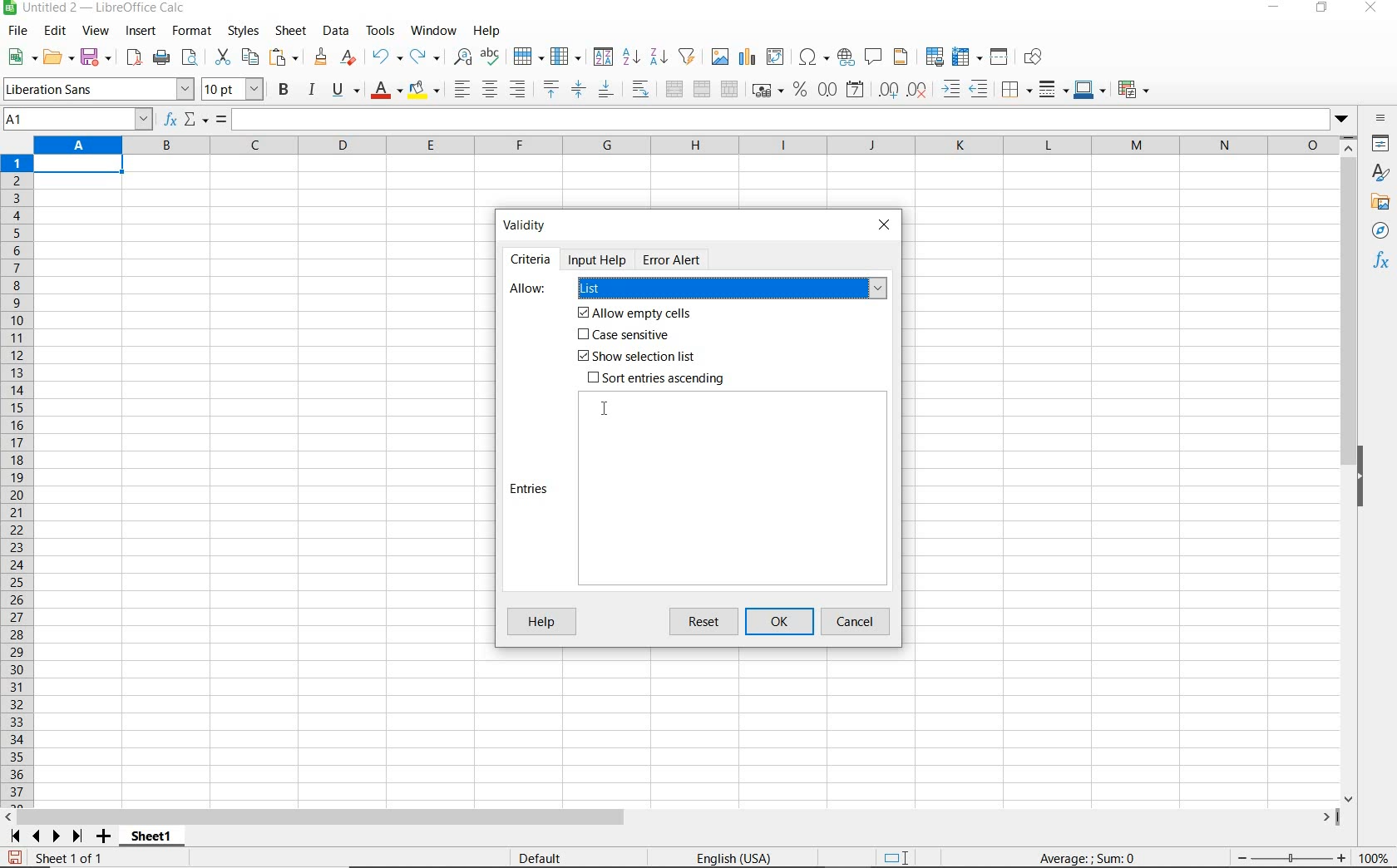 This screenshot has height=868, width=1397. Describe the element at coordinates (783, 622) in the screenshot. I see `ok` at that location.